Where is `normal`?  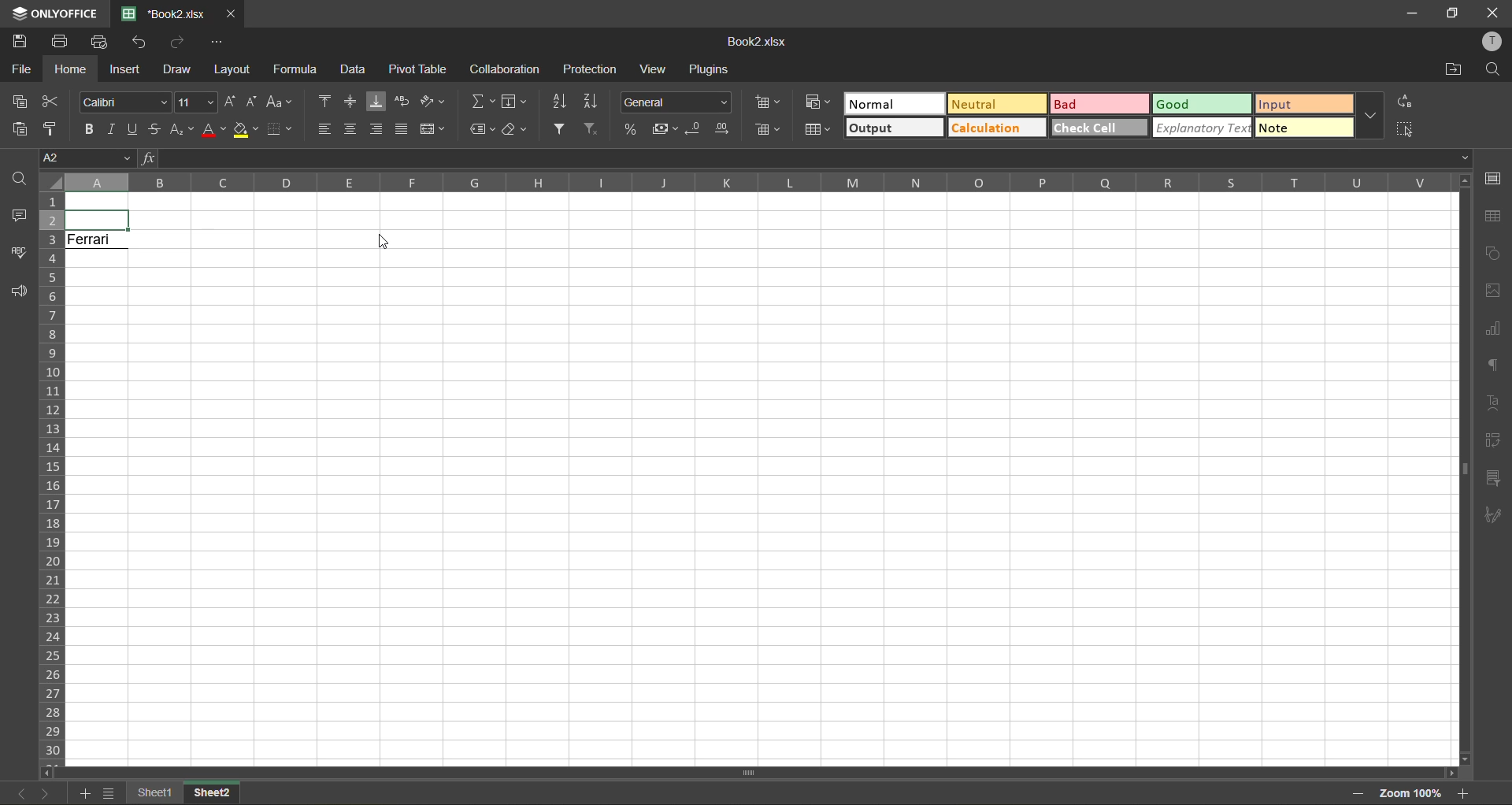
normal is located at coordinates (892, 104).